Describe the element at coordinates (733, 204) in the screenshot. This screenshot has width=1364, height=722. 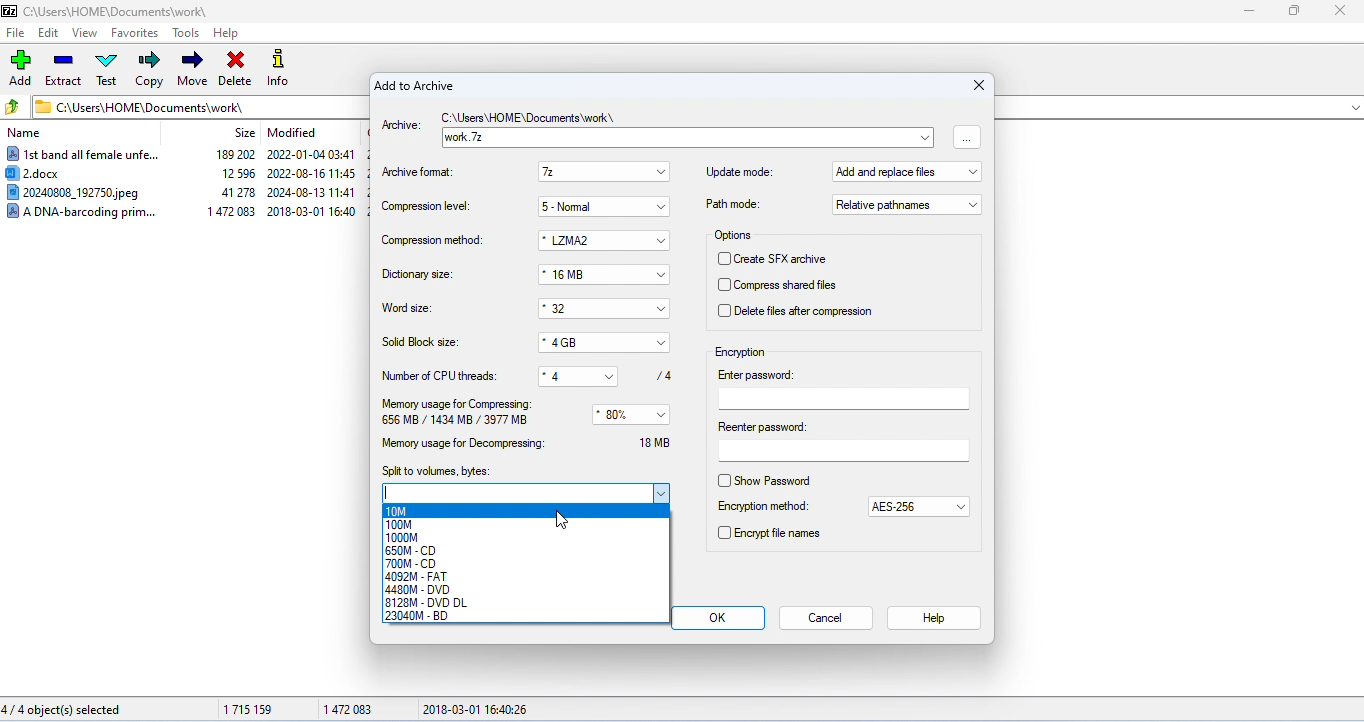
I see `path mode` at that location.